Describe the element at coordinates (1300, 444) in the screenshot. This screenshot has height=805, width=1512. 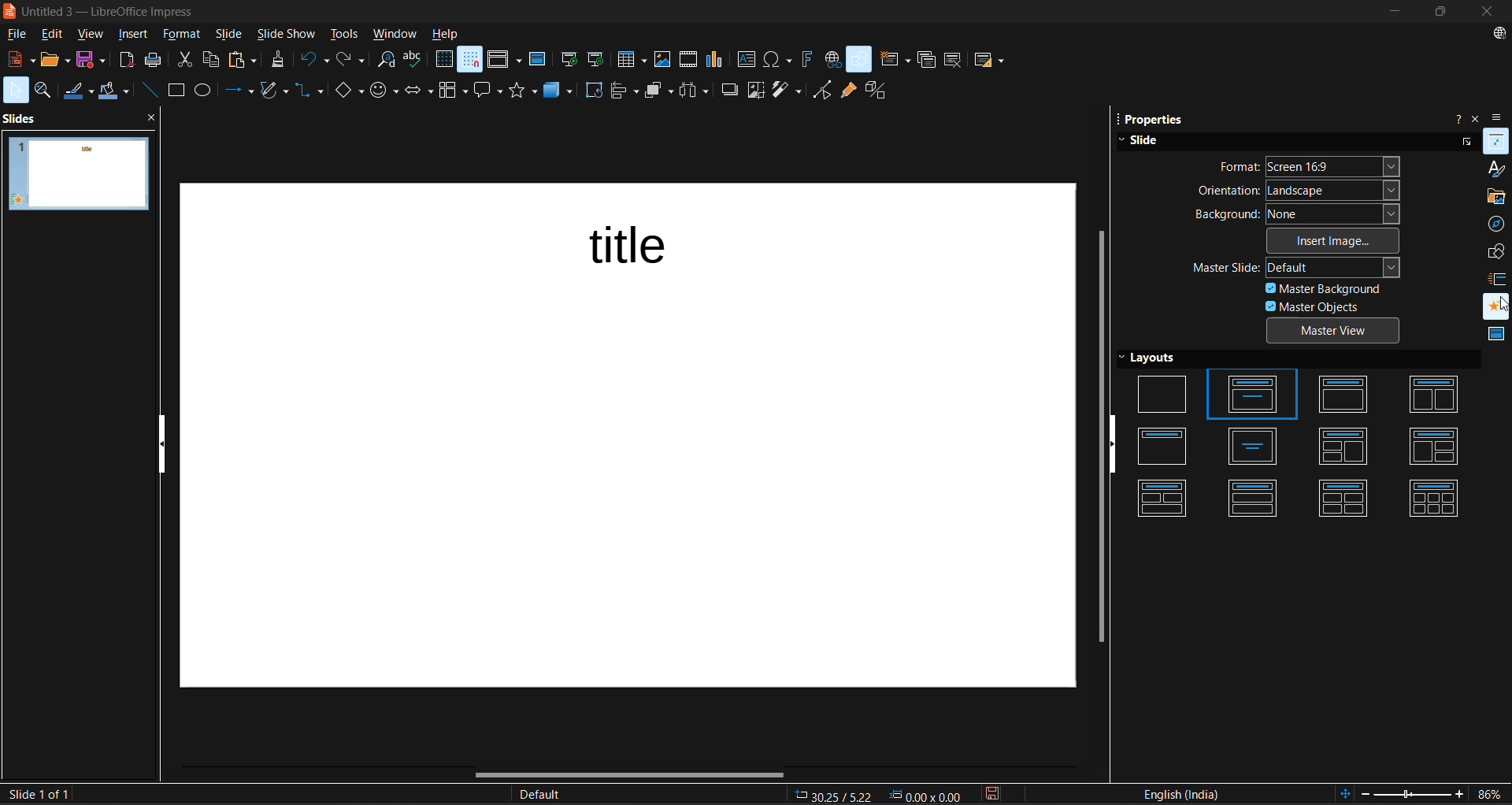
I see `slides` at that location.